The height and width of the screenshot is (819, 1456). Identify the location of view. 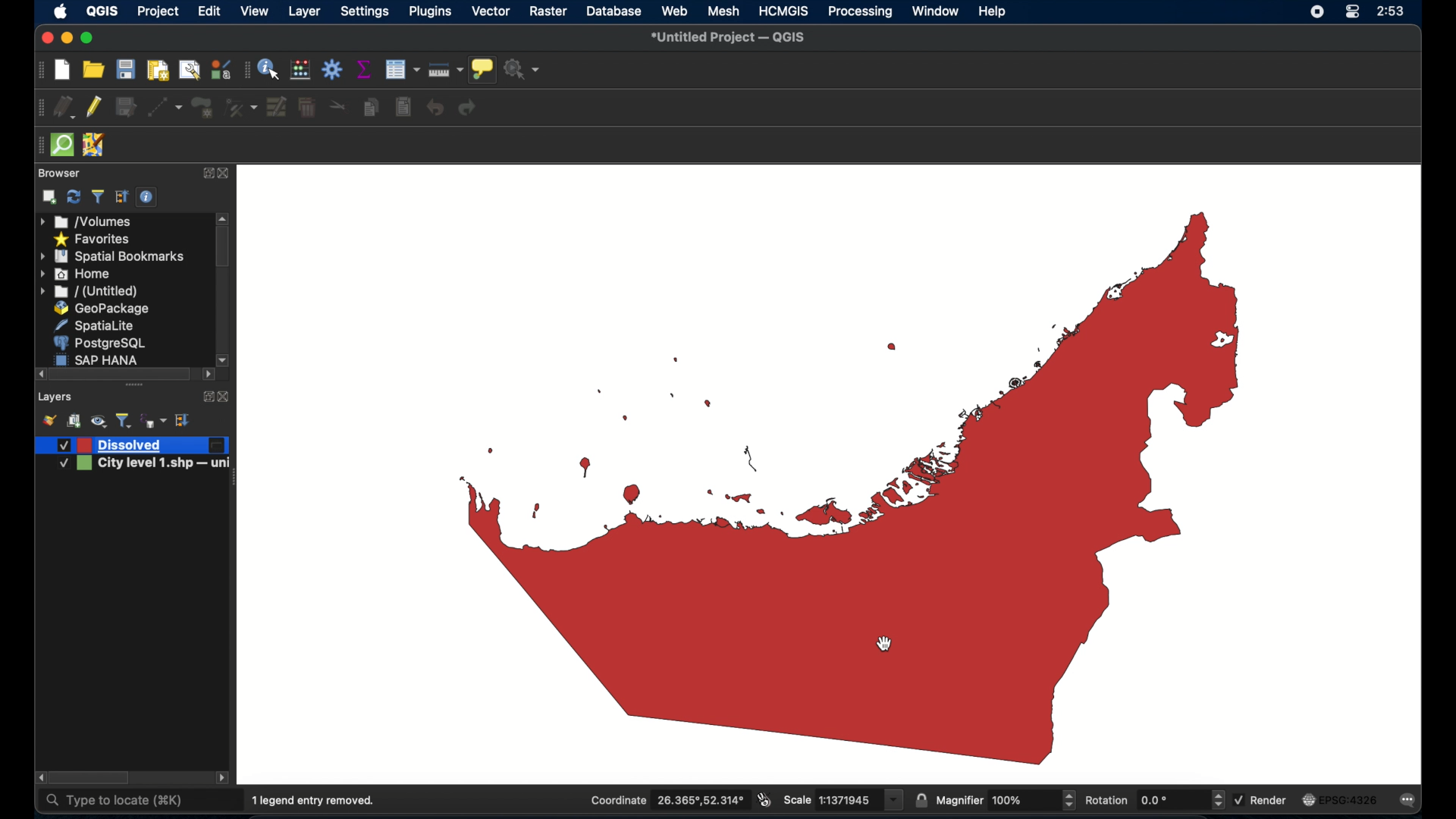
(254, 11).